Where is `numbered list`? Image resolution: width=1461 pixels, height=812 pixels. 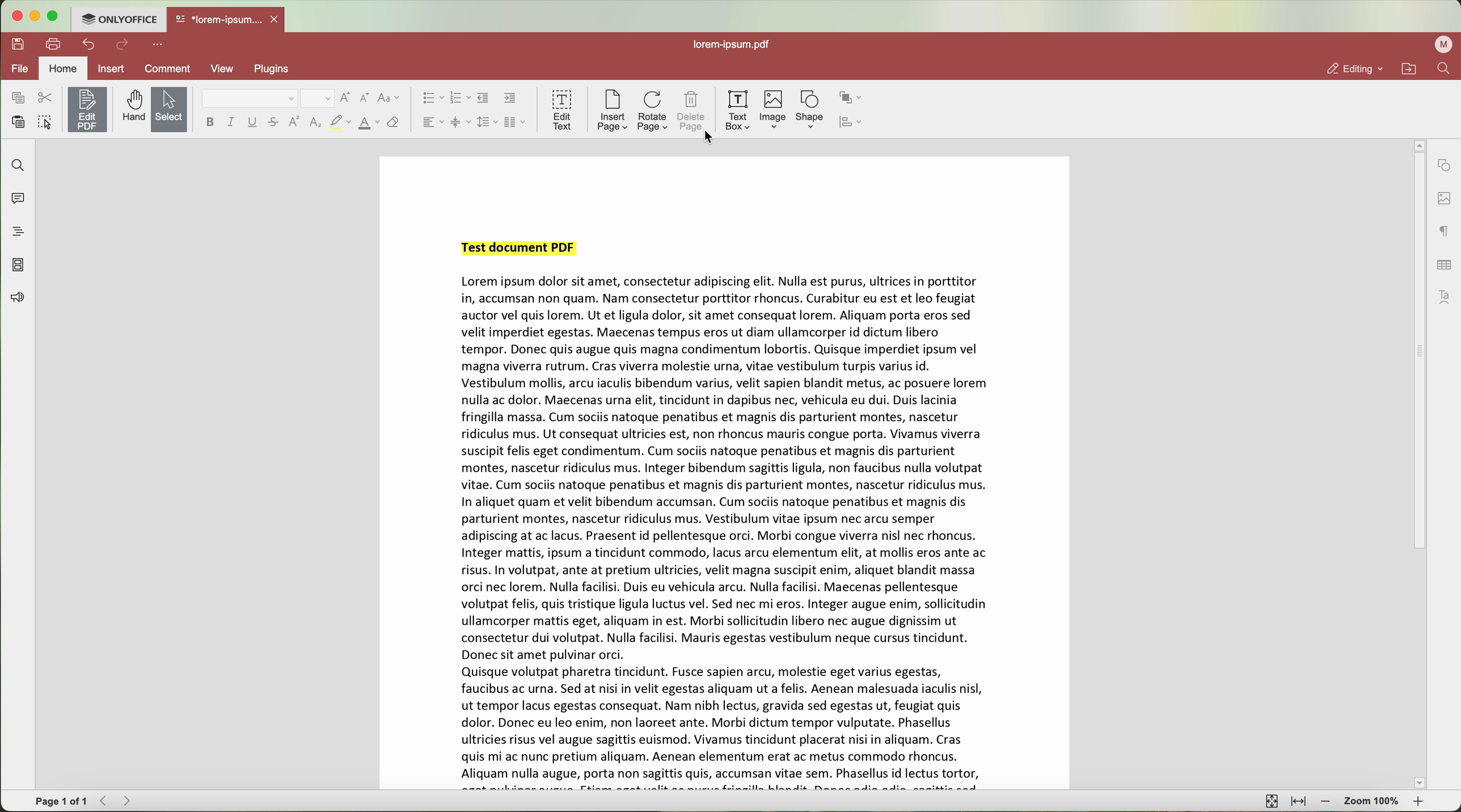
numbered list is located at coordinates (460, 100).